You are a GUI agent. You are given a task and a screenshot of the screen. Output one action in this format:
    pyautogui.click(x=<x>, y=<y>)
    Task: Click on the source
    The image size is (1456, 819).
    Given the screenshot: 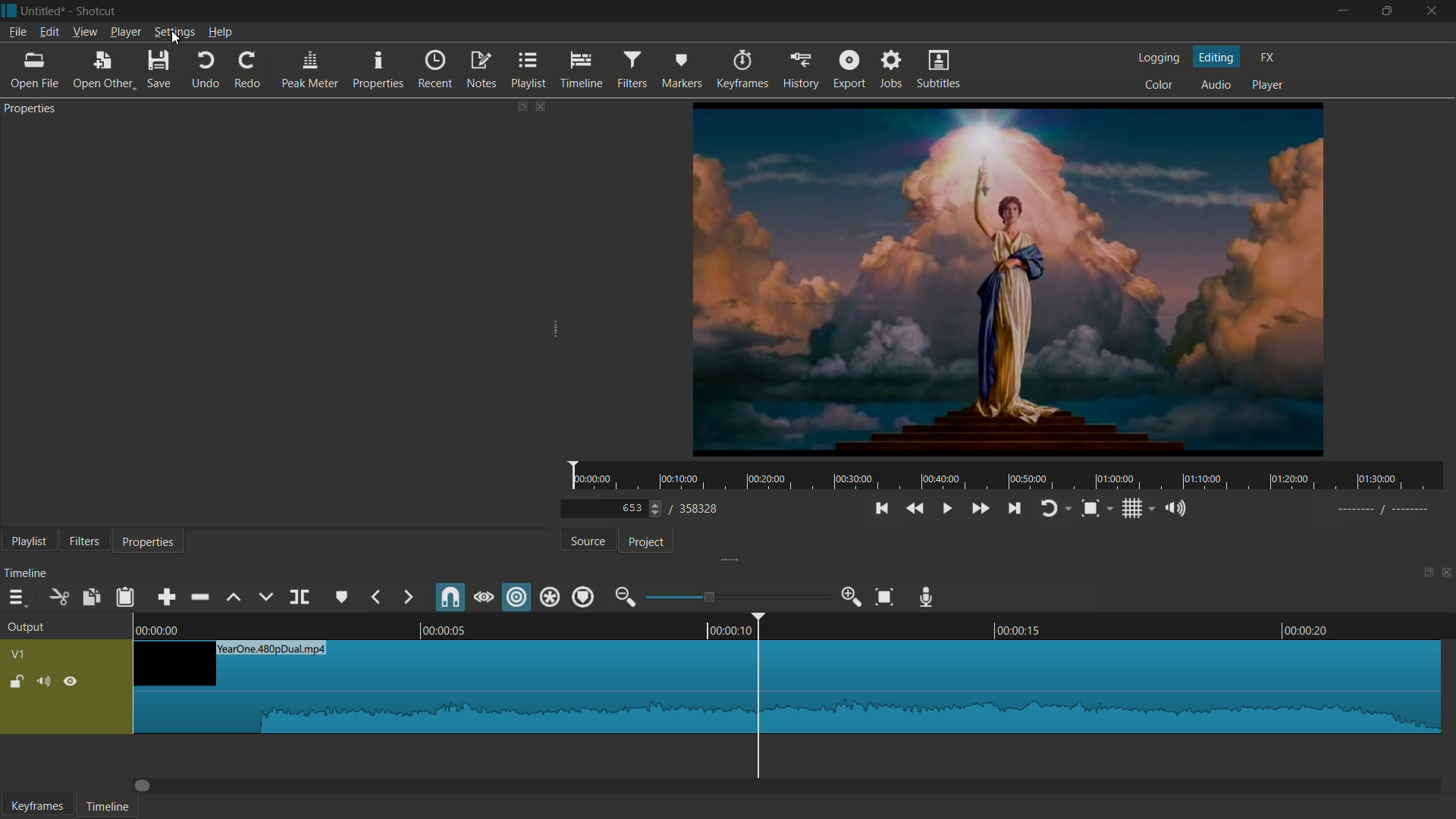 What is the action you would take?
    pyautogui.click(x=586, y=541)
    